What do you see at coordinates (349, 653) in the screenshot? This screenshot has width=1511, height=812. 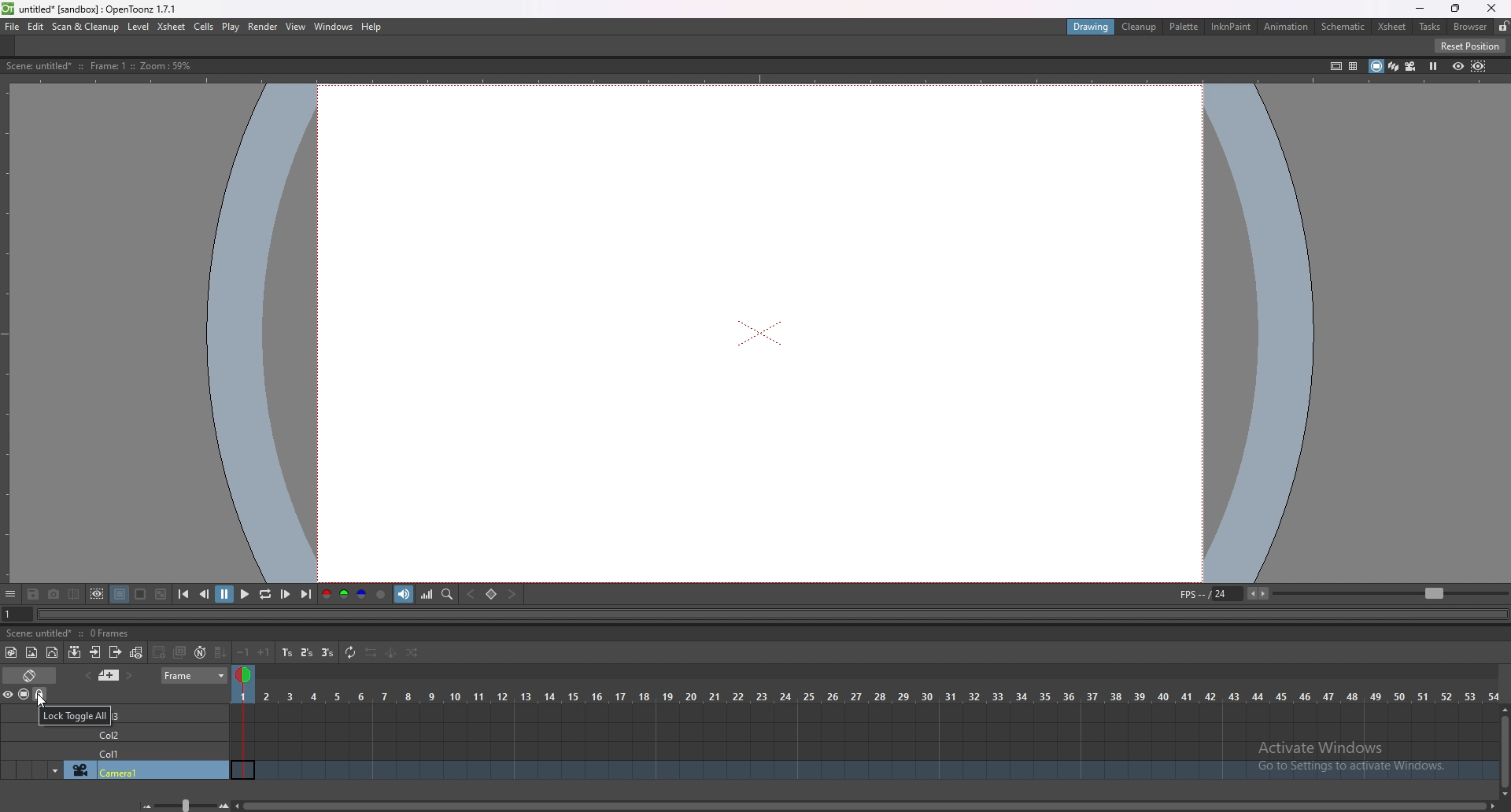 I see `repeat` at bounding box center [349, 653].